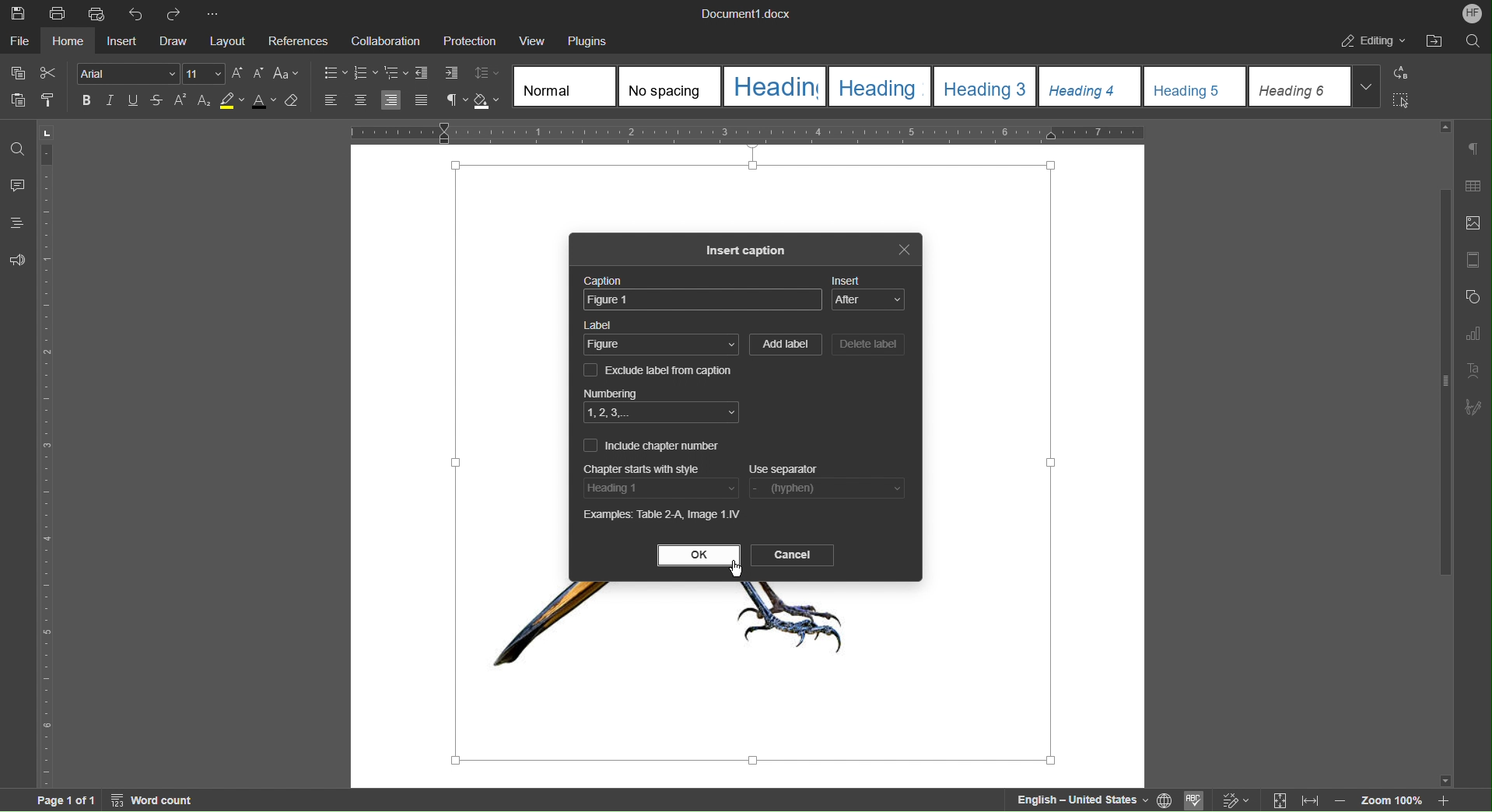 This screenshot has height=812, width=1492. I want to click on Find, so click(17, 147).